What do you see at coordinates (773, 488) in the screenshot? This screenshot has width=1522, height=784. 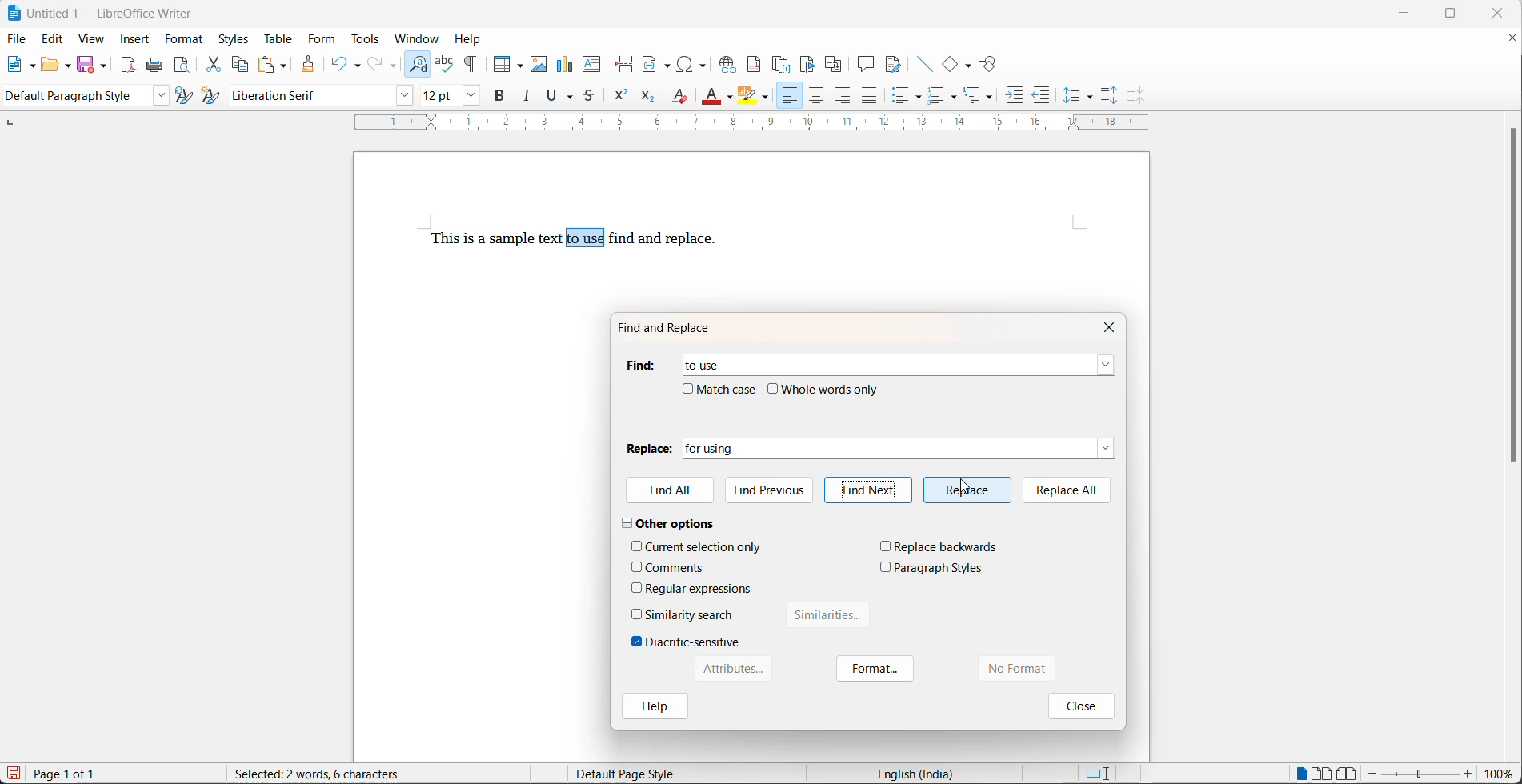 I see `find previous` at bounding box center [773, 488].